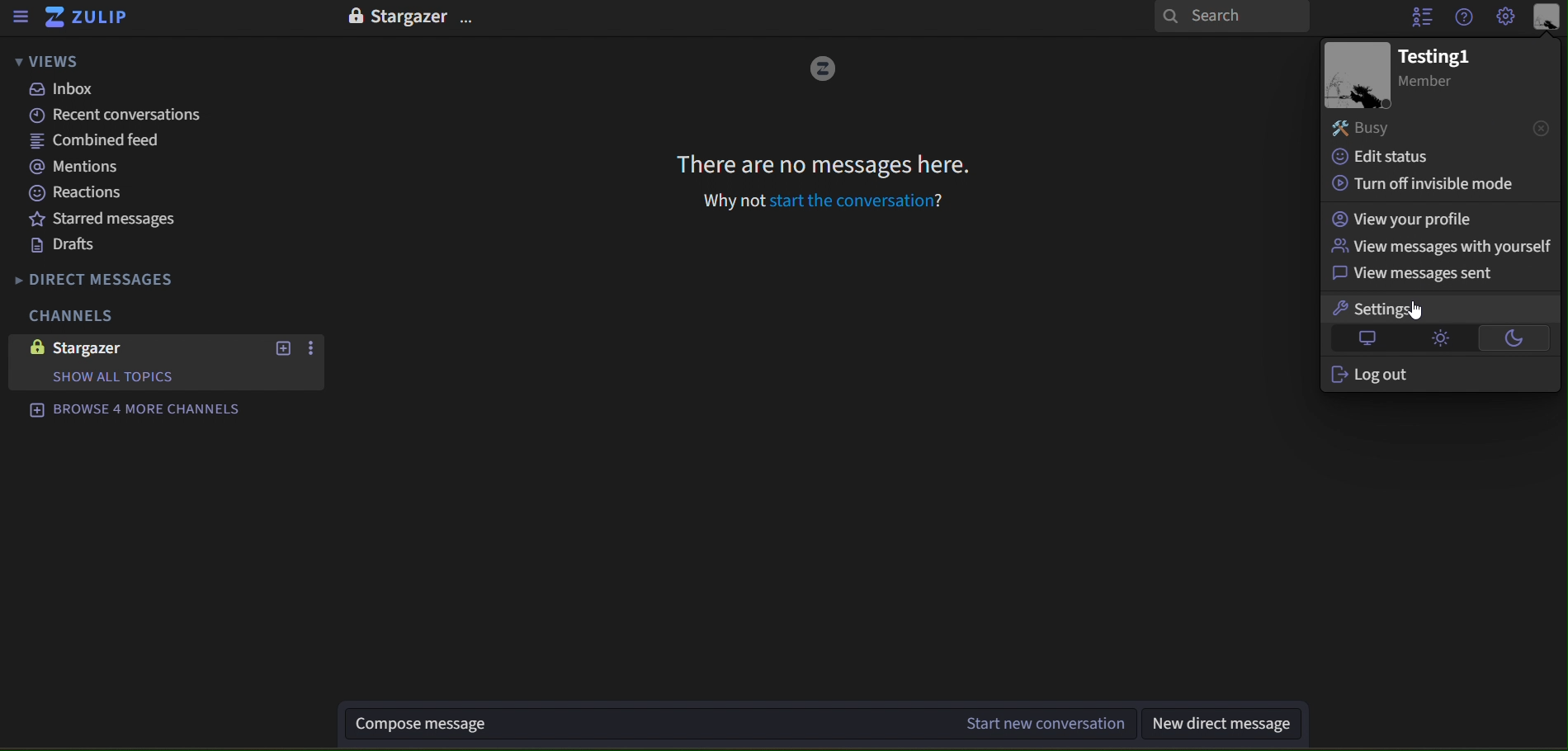 Image resolution: width=1568 pixels, height=751 pixels. What do you see at coordinates (1230, 18) in the screenshot?
I see `search` at bounding box center [1230, 18].